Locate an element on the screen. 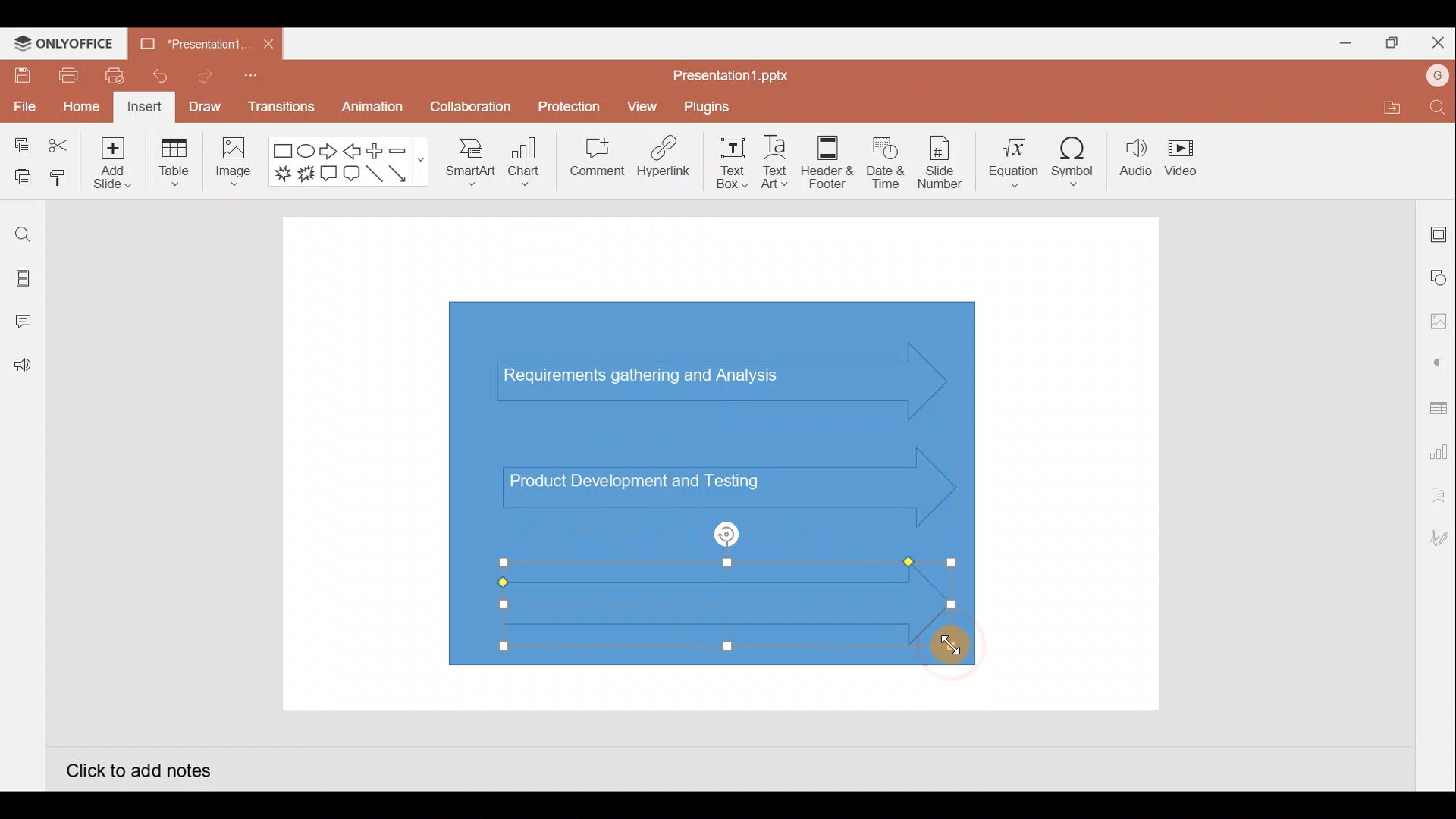 This screenshot has width=1456, height=819. Cursor on 3rd inserted right arrow shape is located at coordinates (943, 642).